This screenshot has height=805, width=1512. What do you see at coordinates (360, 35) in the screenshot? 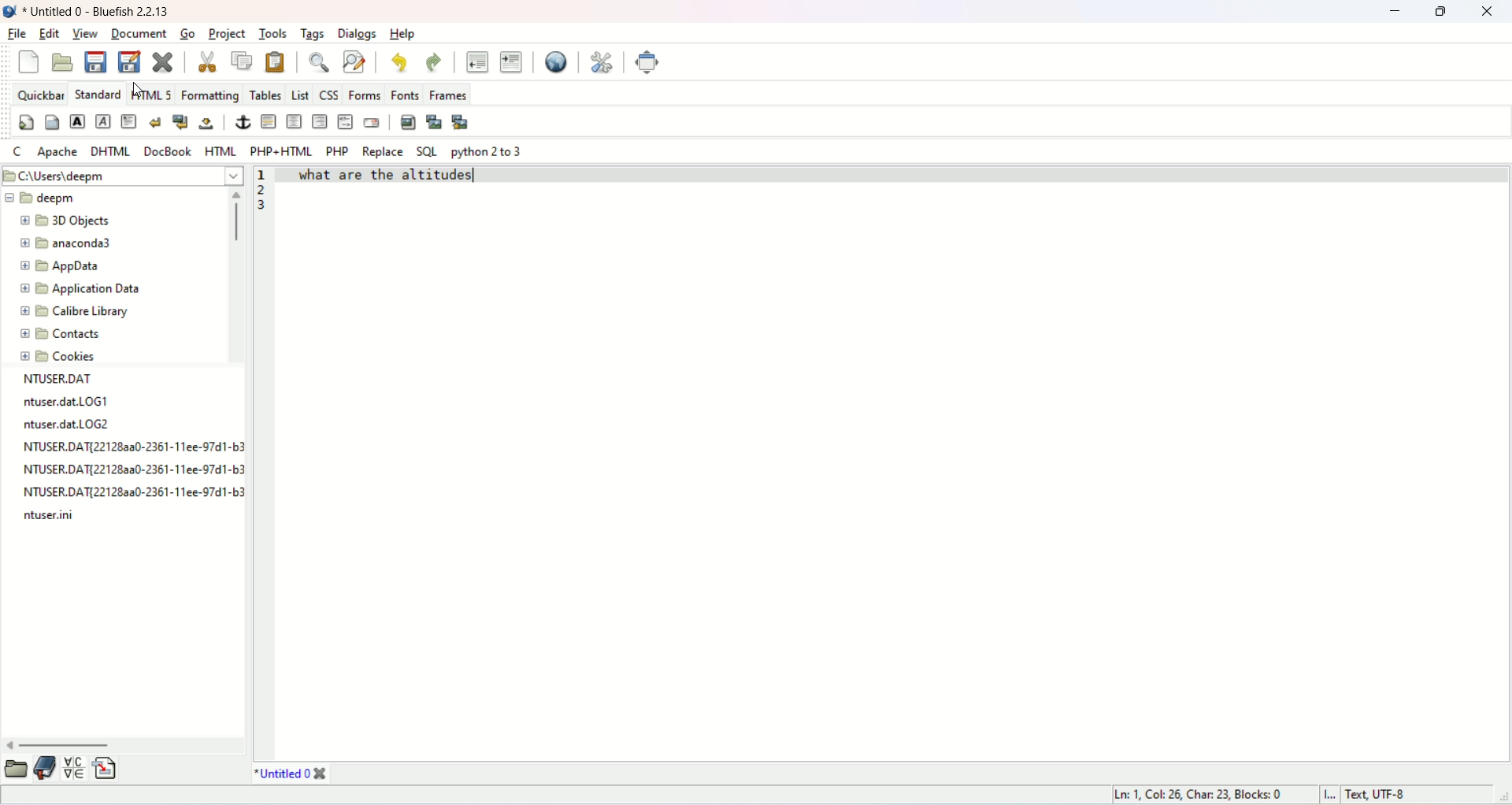
I see `dialogs` at bounding box center [360, 35].